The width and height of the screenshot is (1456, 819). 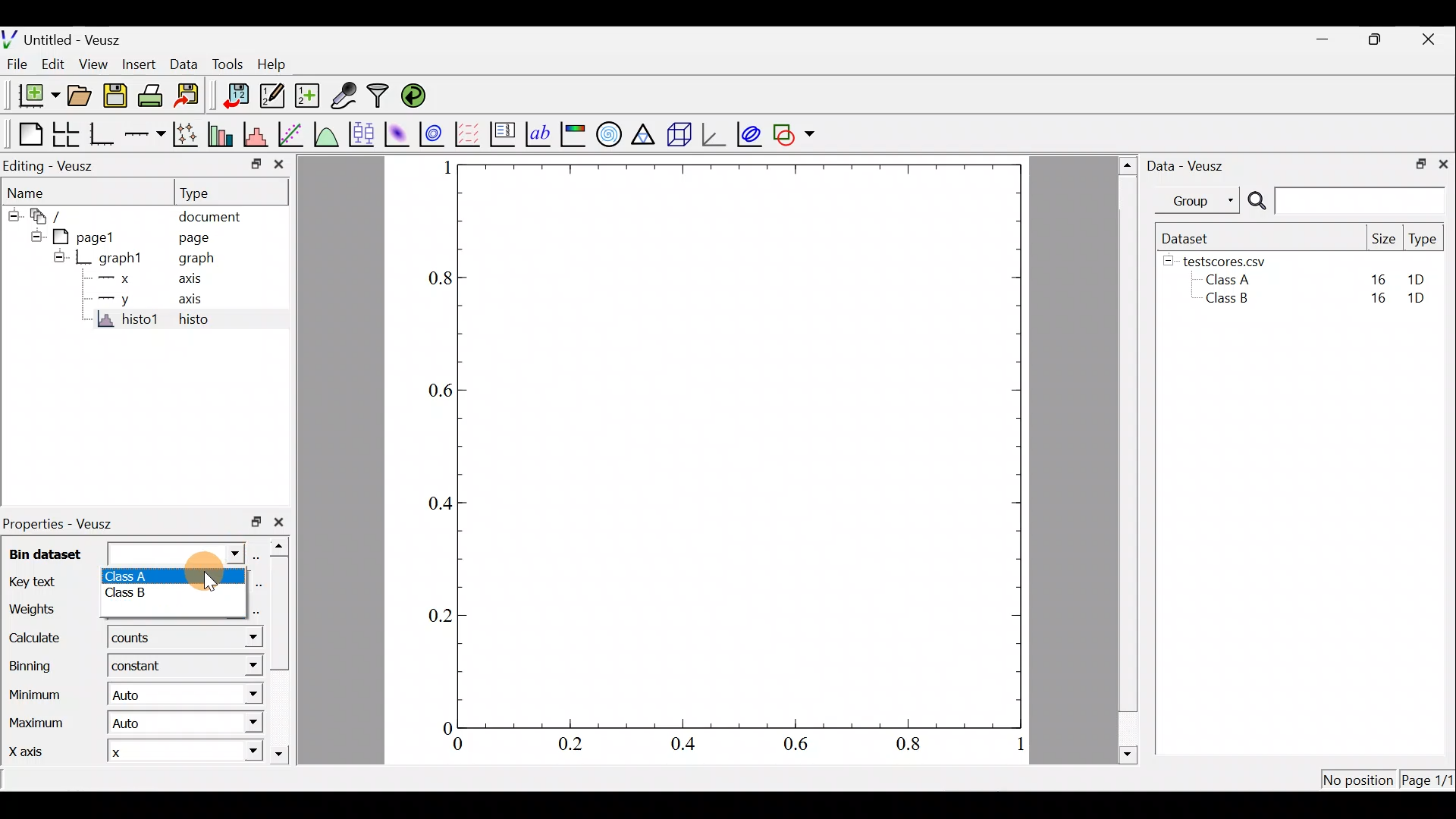 I want to click on select using dataset browser, so click(x=258, y=610).